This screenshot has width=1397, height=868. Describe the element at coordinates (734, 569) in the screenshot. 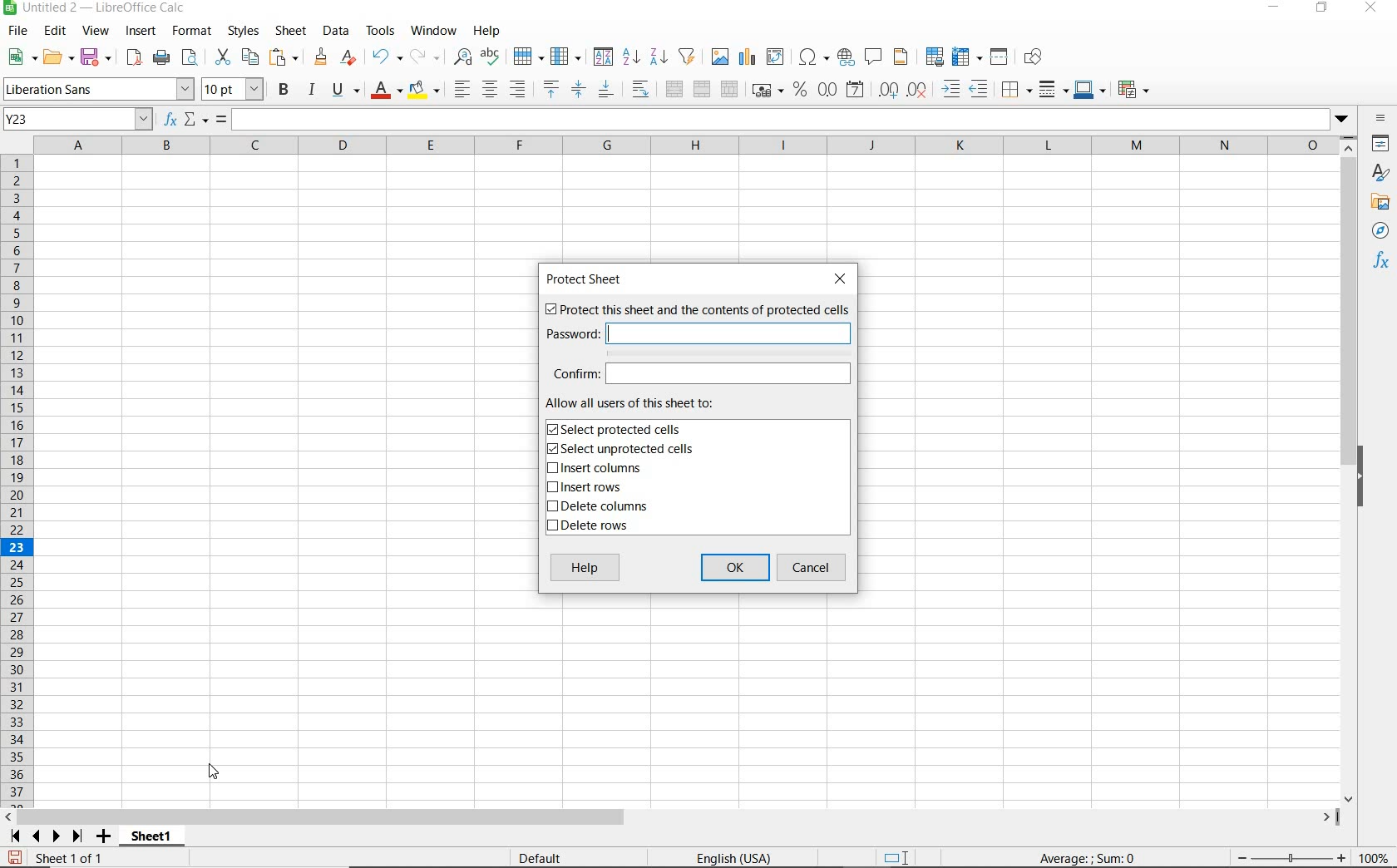

I see `OK` at that location.